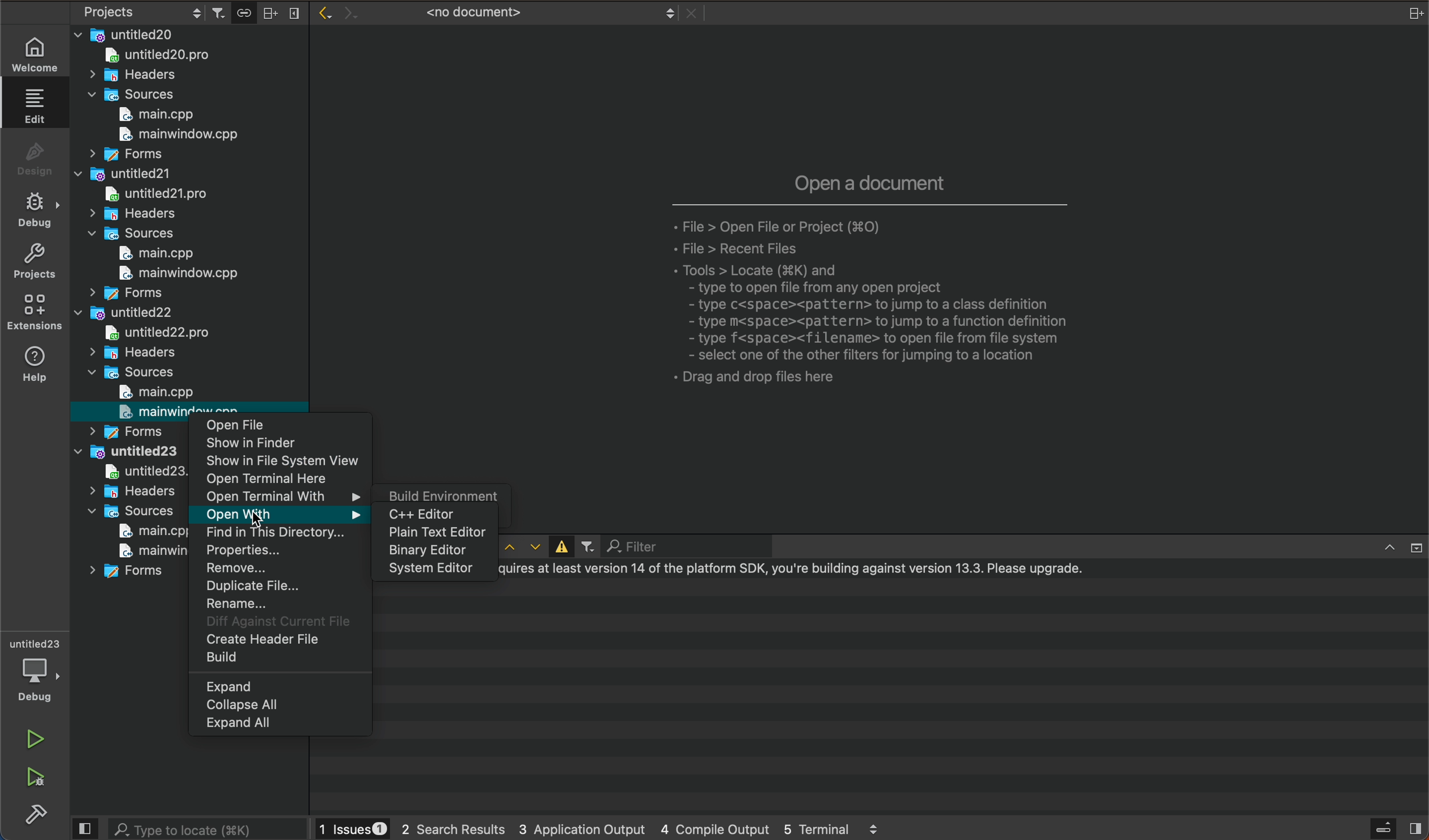 Image resolution: width=1429 pixels, height=840 pixels. What do you see at coordinates (164, 57) in the screenshot?
I see `untitled20 pro` at bounding box center [164, 57].